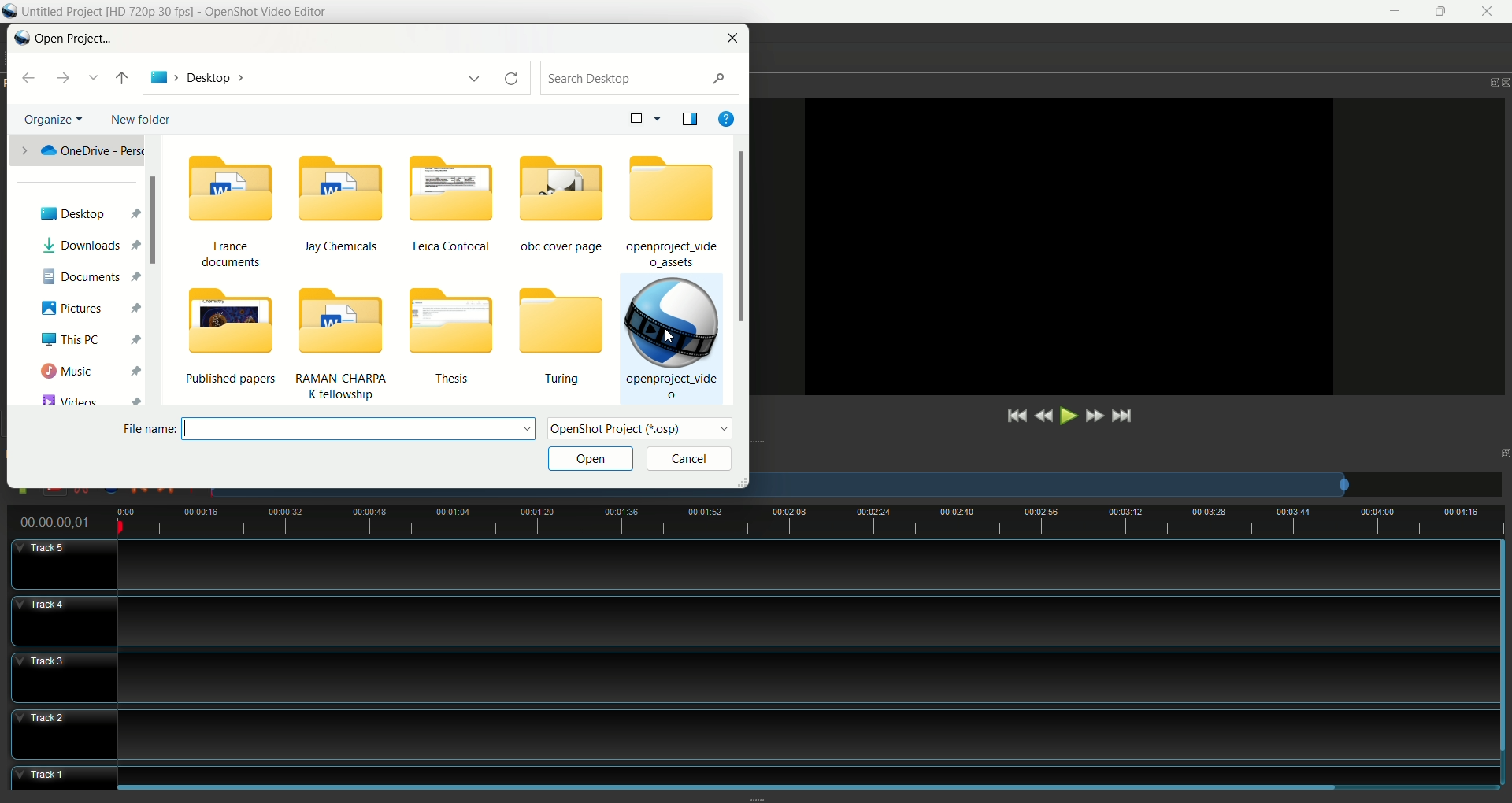 This screenshot has width=1512, height=803. What do you see at coordinates (1443, 12) in the screenshot?
I see `maximize` at bounding box center [1443, 12].